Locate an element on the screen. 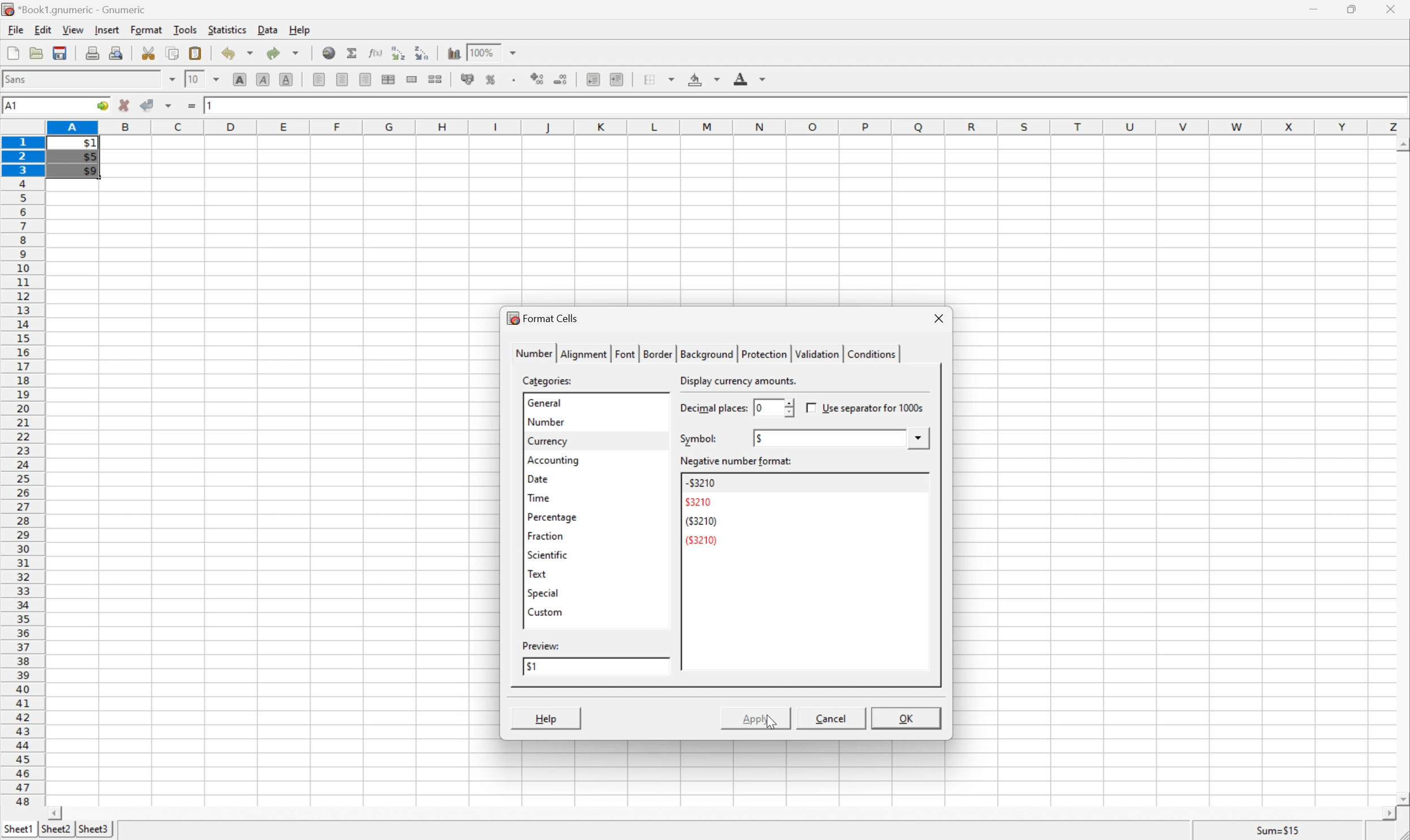  validation is located at coordinates (815, 354).